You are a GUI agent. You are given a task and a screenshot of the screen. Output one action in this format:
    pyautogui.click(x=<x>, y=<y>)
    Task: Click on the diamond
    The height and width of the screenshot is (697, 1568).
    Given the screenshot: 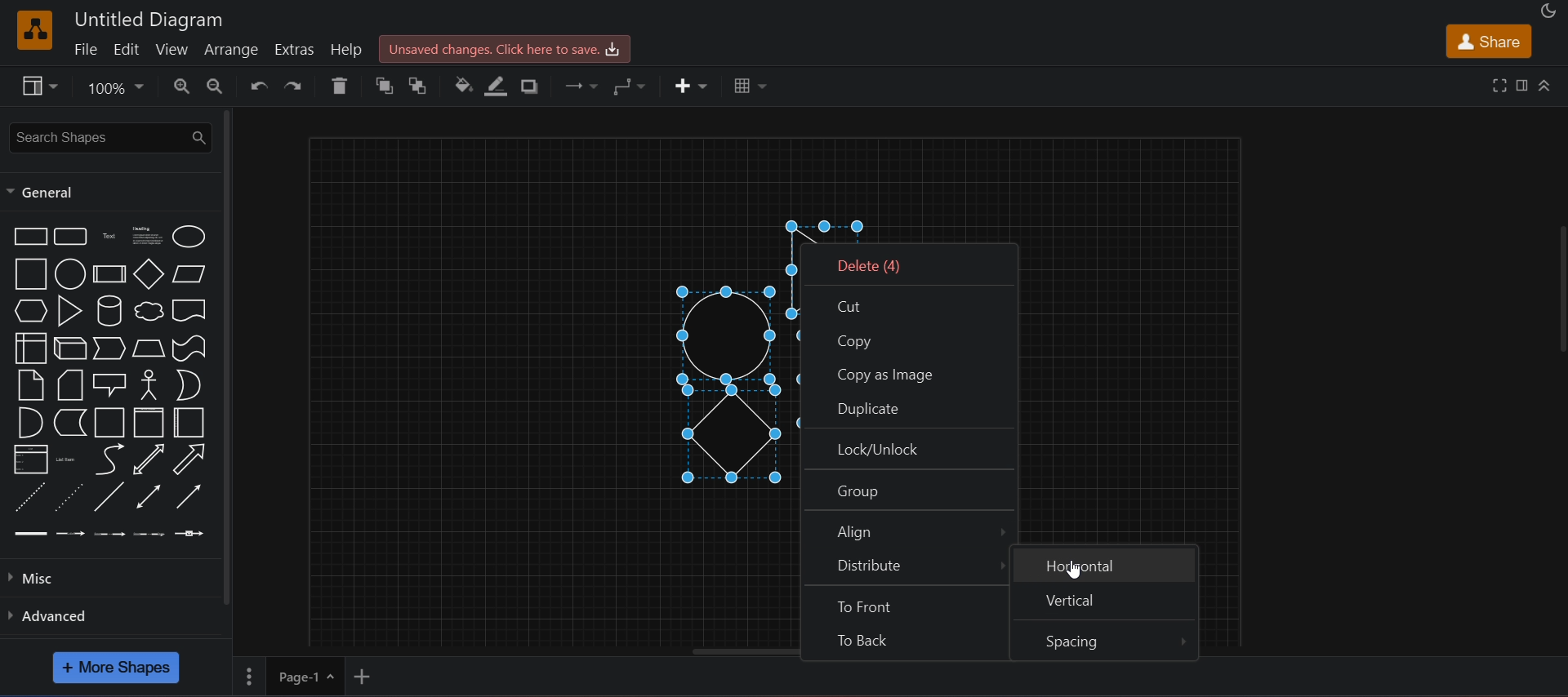 What is the action you would take?
    pyautogui.click(x=148, y=274)
    